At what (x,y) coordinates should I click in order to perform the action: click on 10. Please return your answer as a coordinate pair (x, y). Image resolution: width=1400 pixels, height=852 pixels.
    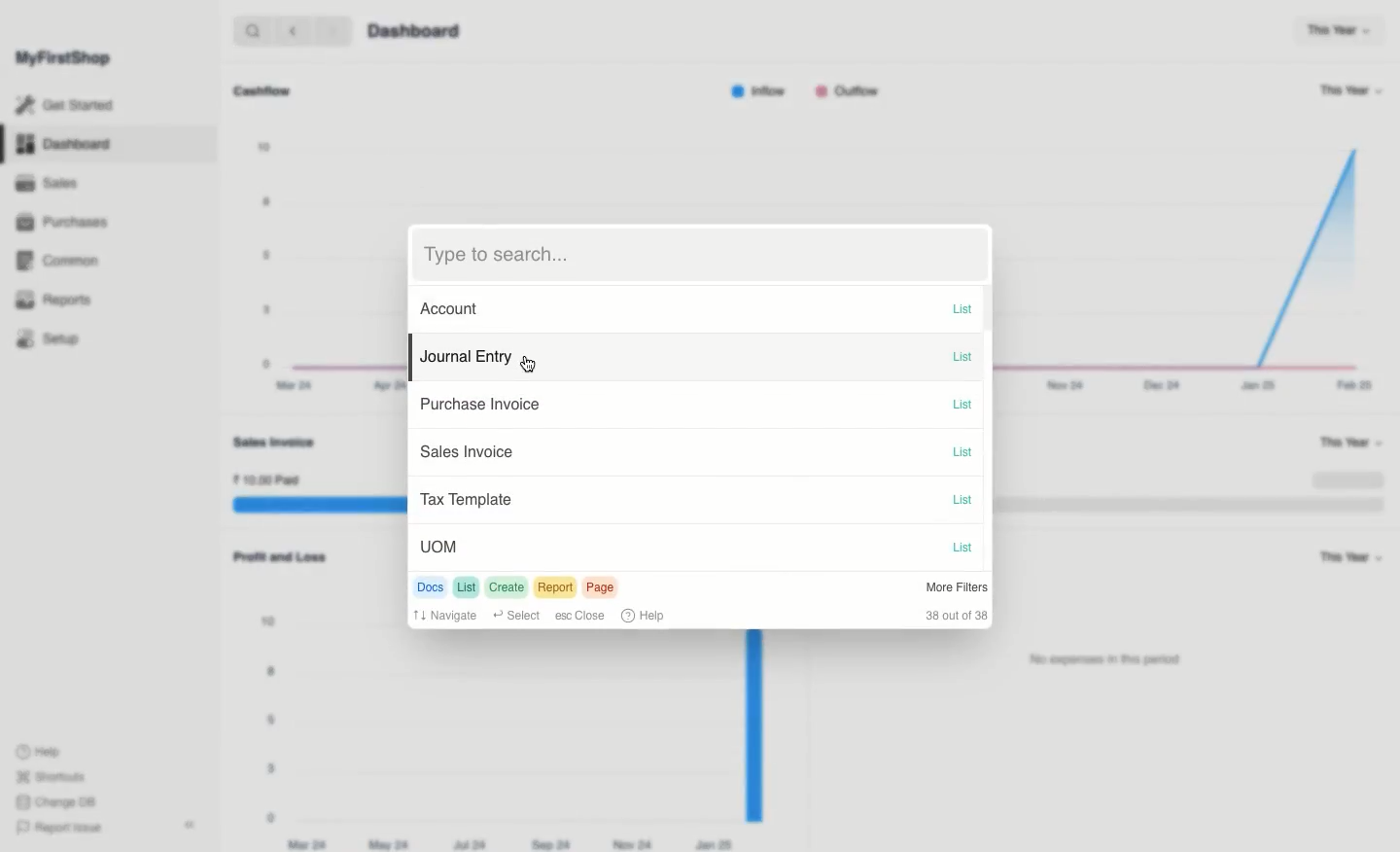
    Looking at the image, I should click on (267, 146).